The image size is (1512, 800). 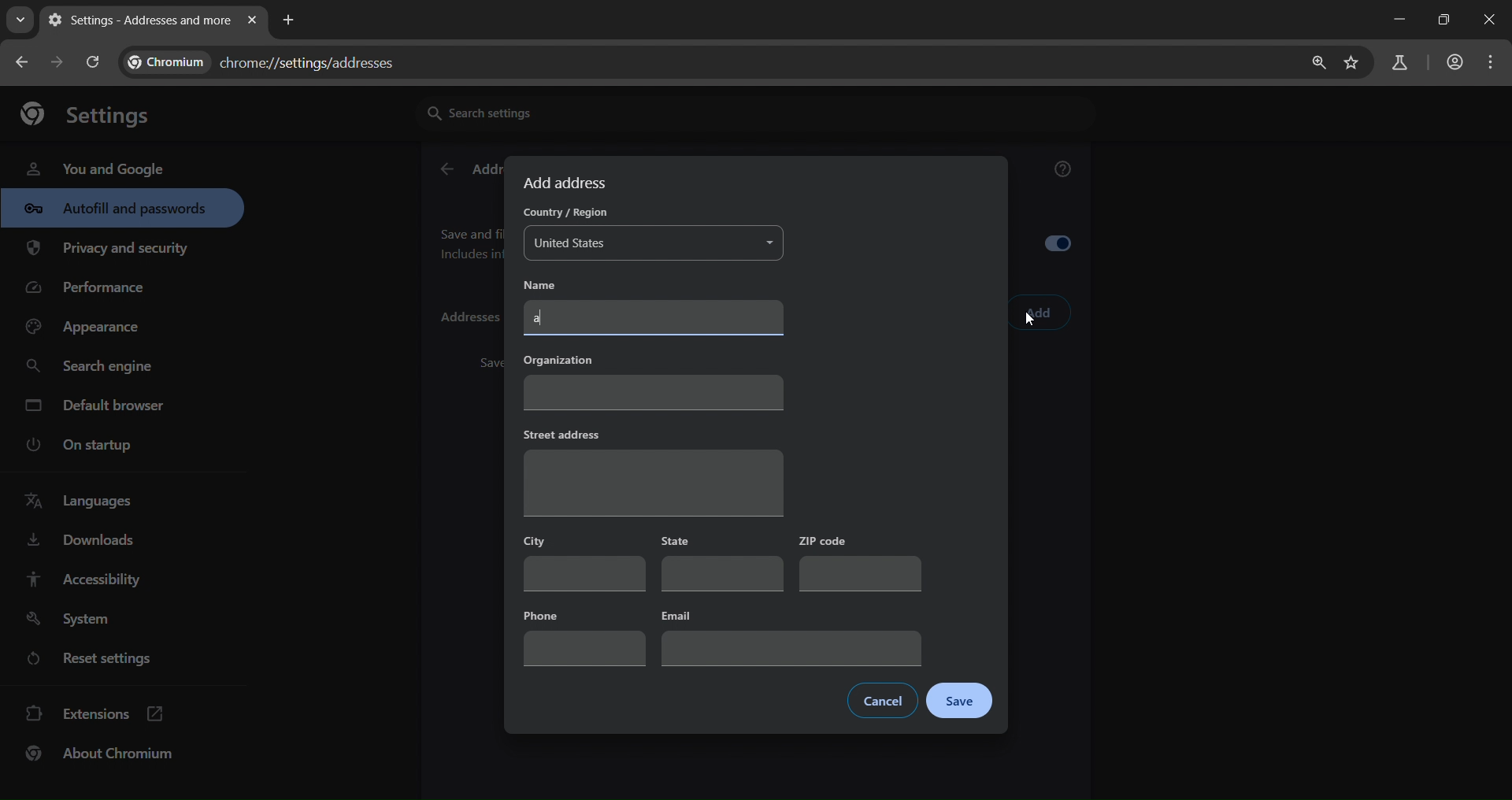 What do you see at coordinates (1314, 63) in the screenshot?
I see `zoom` at bounding box center [1314, 63].